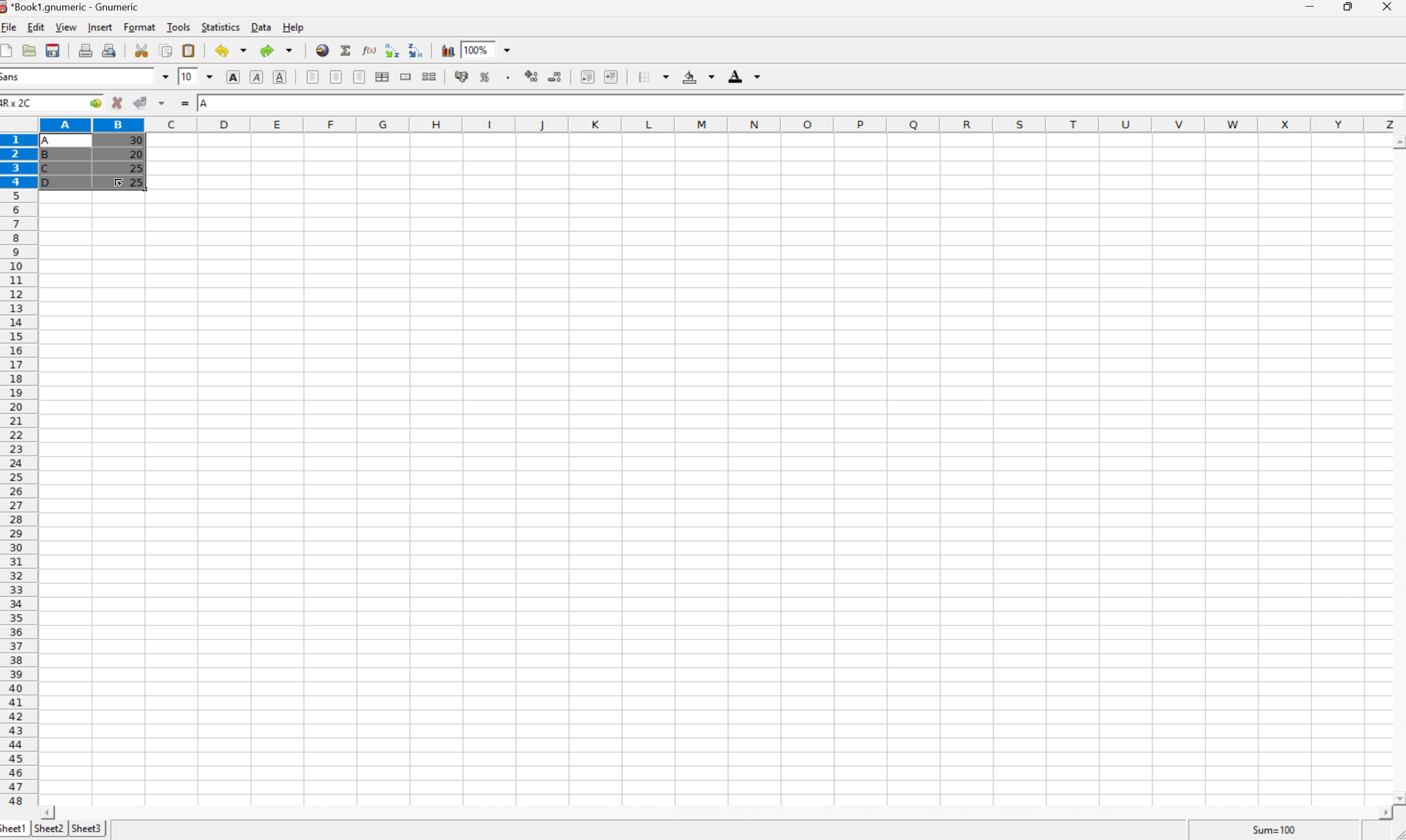  Describe the element at coordinates (110, 49) in the screenshot. I see `Print preview` at that location.